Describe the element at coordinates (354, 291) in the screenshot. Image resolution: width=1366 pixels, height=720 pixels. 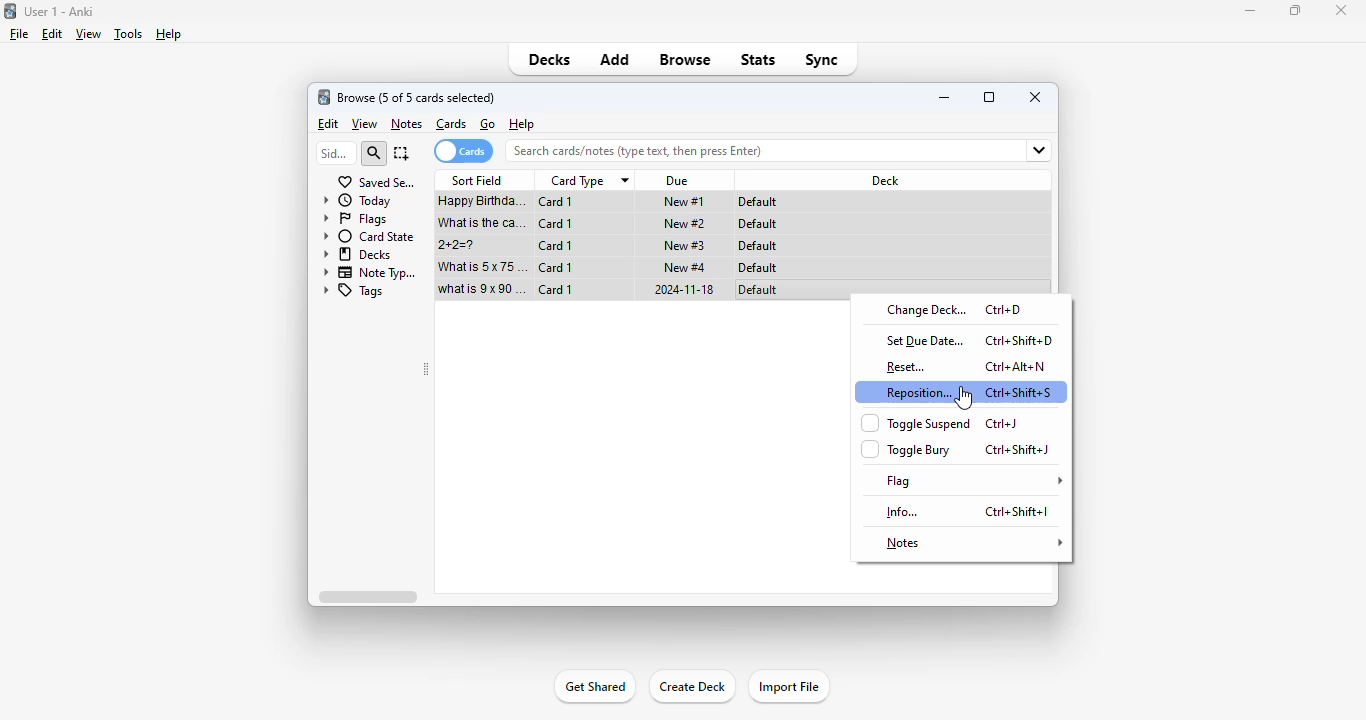
I see `tags` at that location.